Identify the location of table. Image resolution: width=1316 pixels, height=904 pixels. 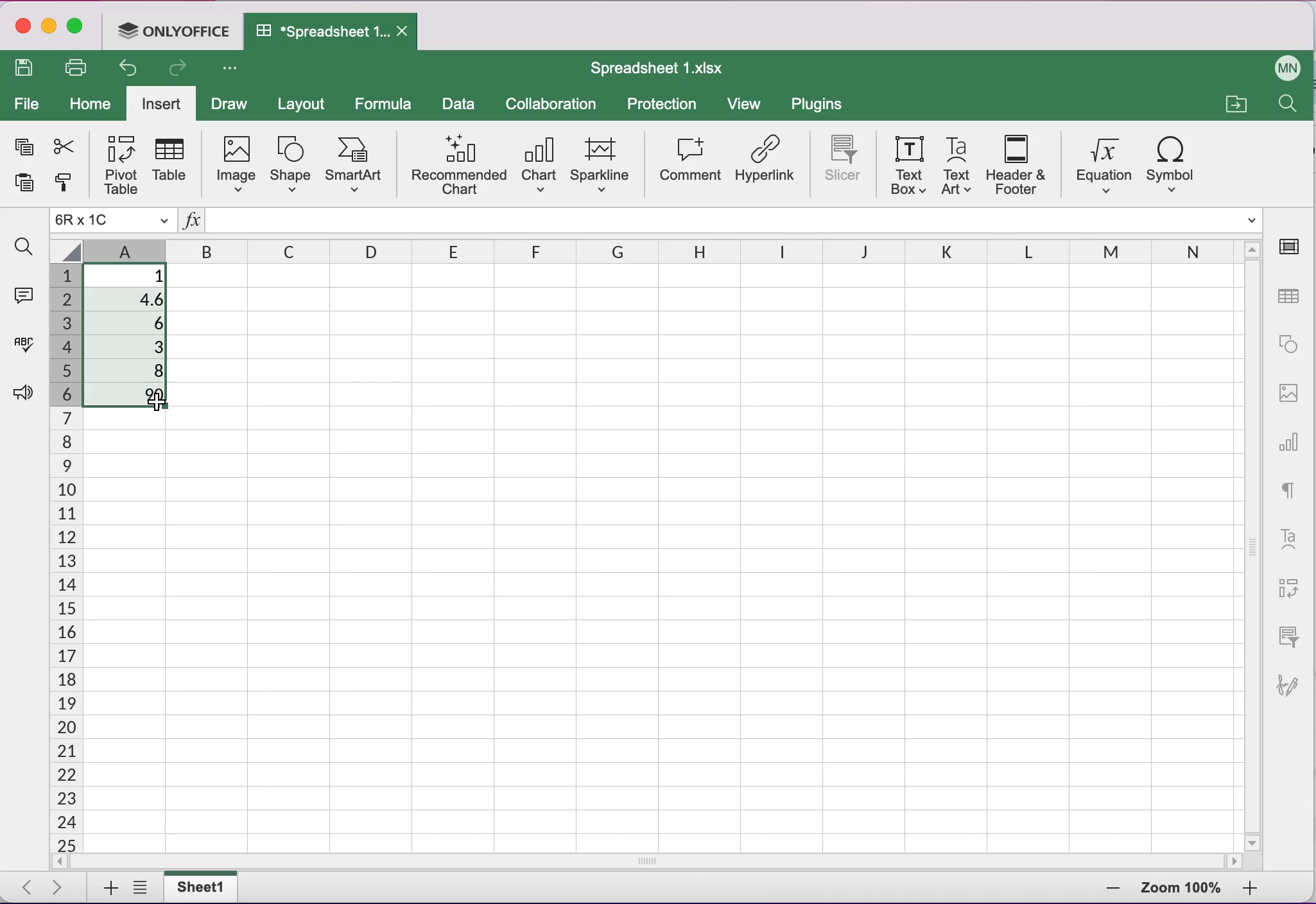
(1287, 297).